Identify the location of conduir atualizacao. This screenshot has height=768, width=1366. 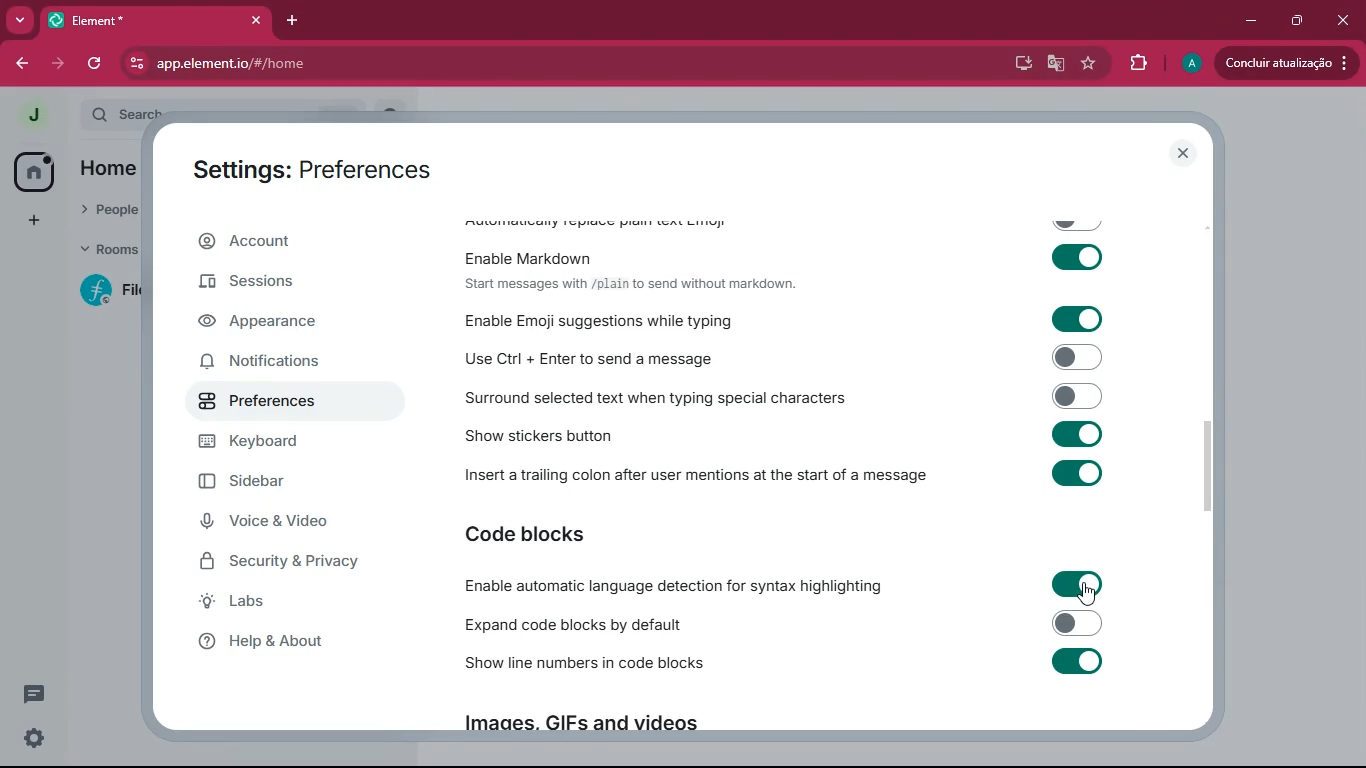
(1285, 63).